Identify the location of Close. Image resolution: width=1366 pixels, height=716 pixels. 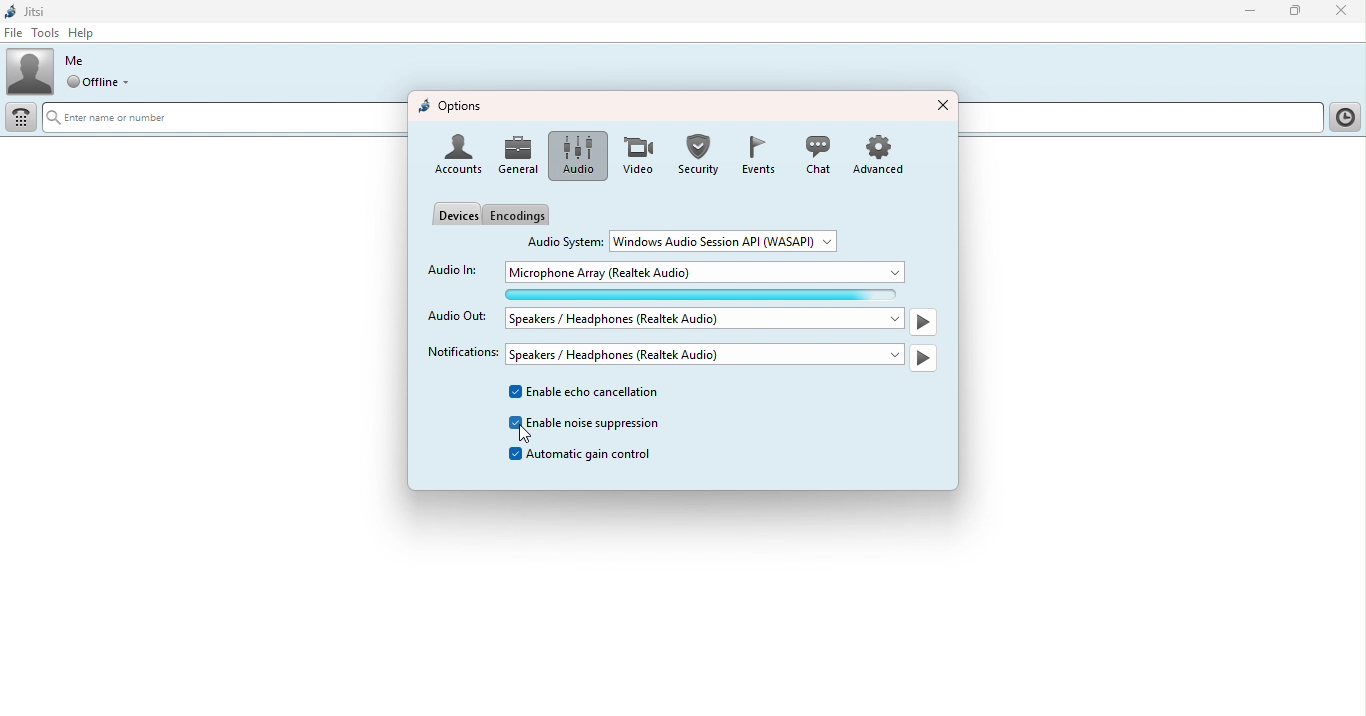
(941, 103).